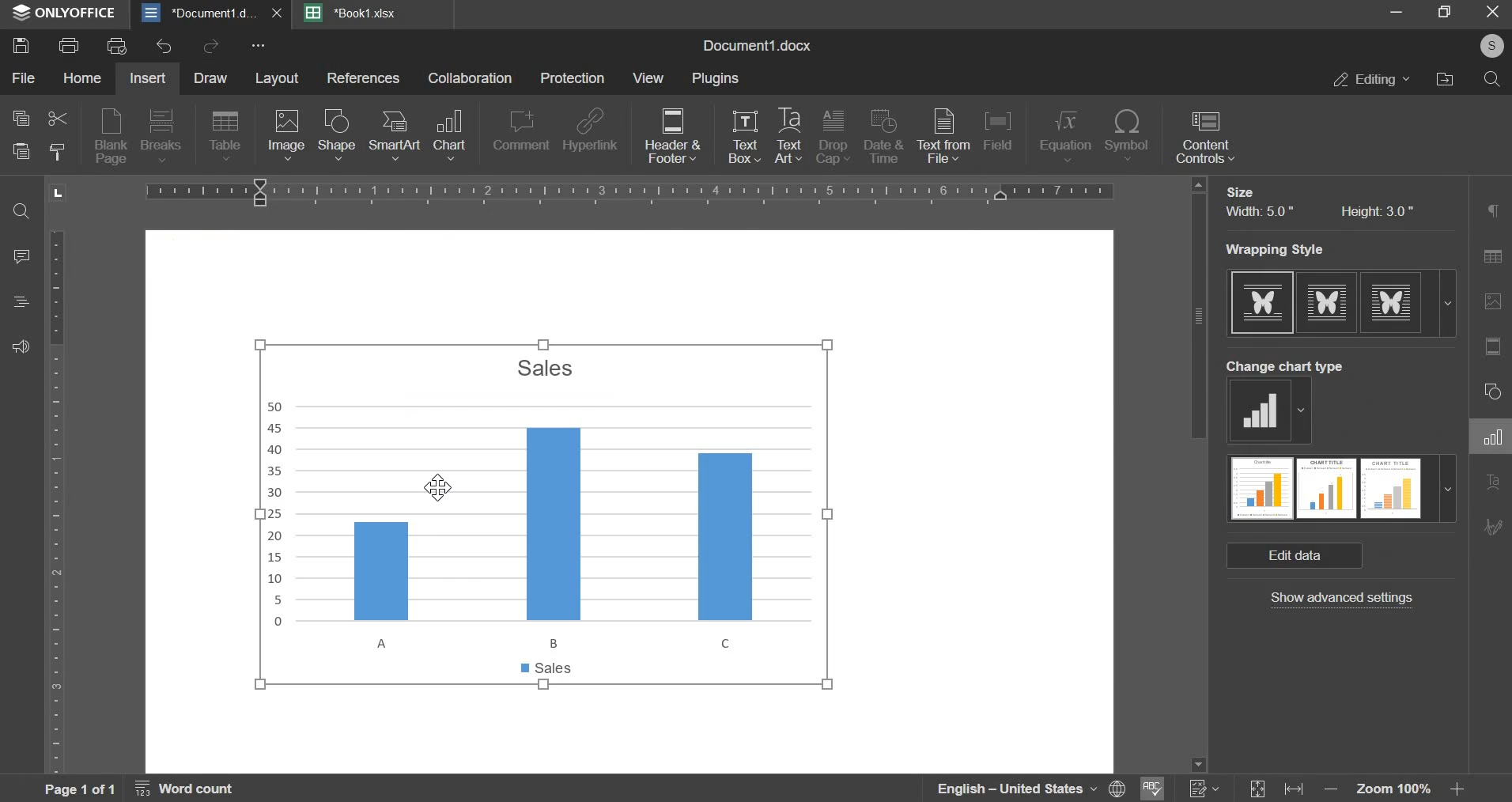  What do you see at coordinates (1203, 787) in the screenshot?
I see `numericals` at bounding box center [1203, 787].